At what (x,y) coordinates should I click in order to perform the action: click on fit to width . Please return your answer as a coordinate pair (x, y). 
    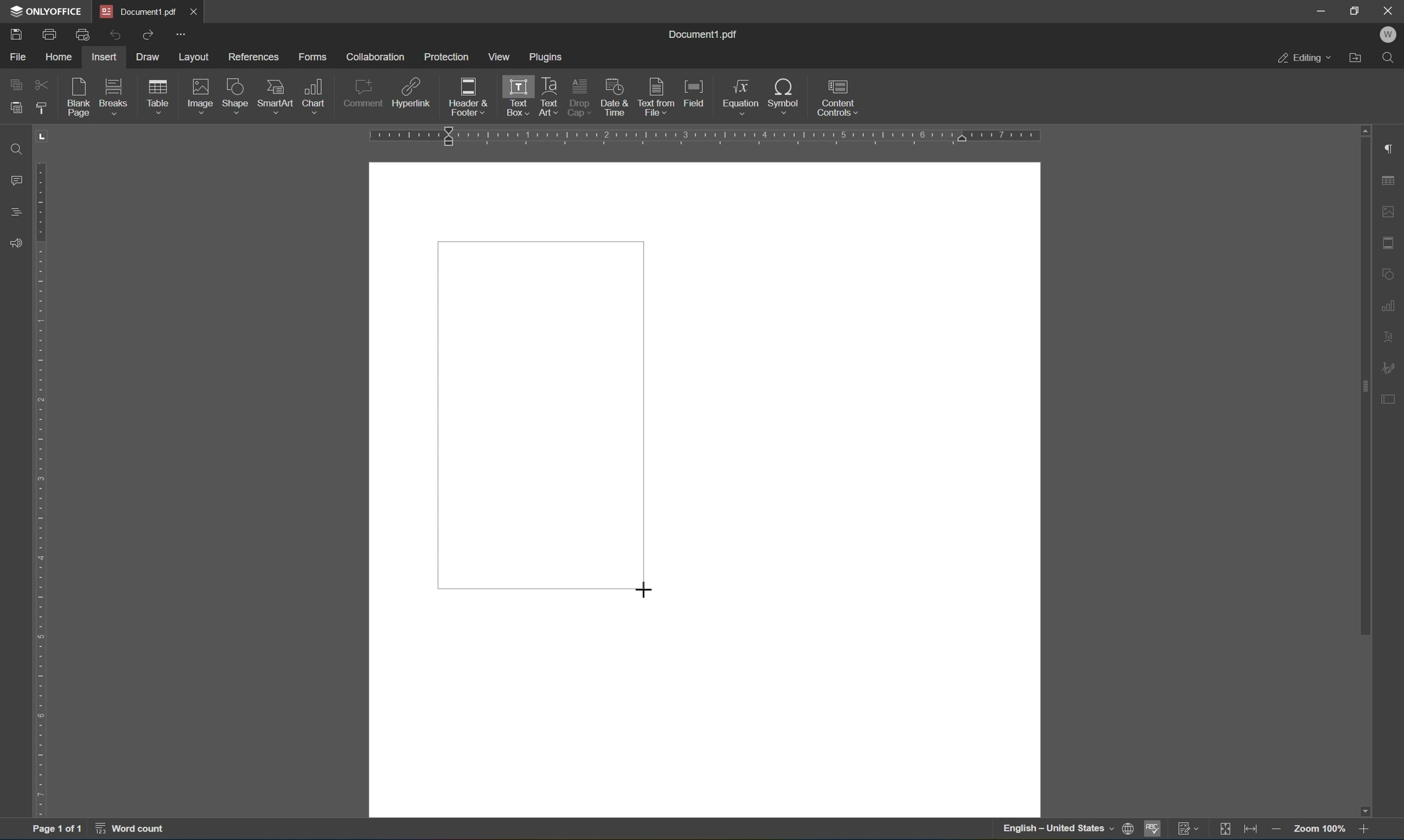
    Looking at the image, I should click on (1251, 831).